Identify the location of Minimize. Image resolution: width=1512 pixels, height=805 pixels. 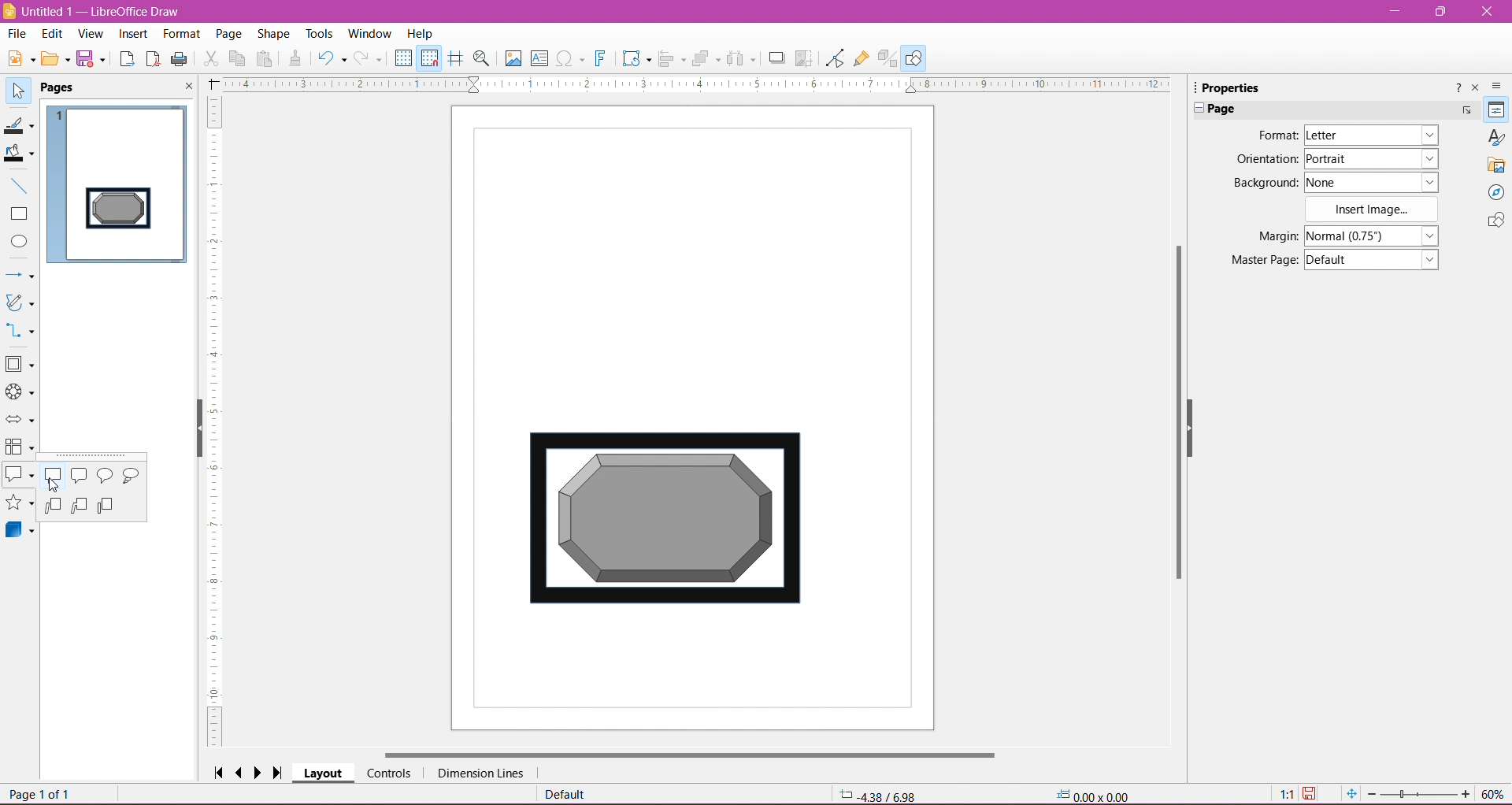
(1396, 10).